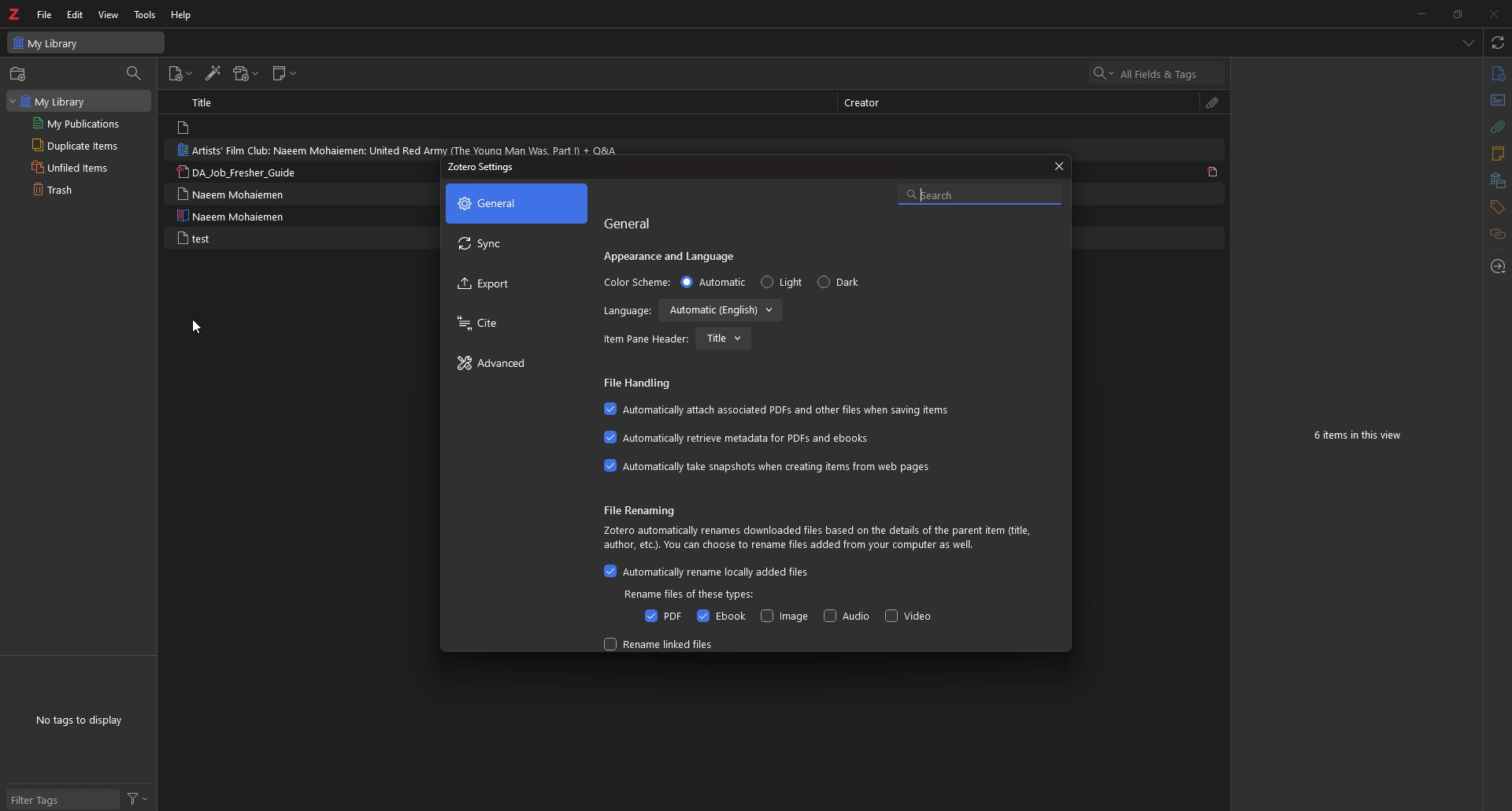 Image resolution: width=1512 pixels, height=811 pixels. What do you see at coordinates (246, 172) in the screenshot?
I see `DA_Job,_Fresher_Guide` at bounding box center [246, 172].